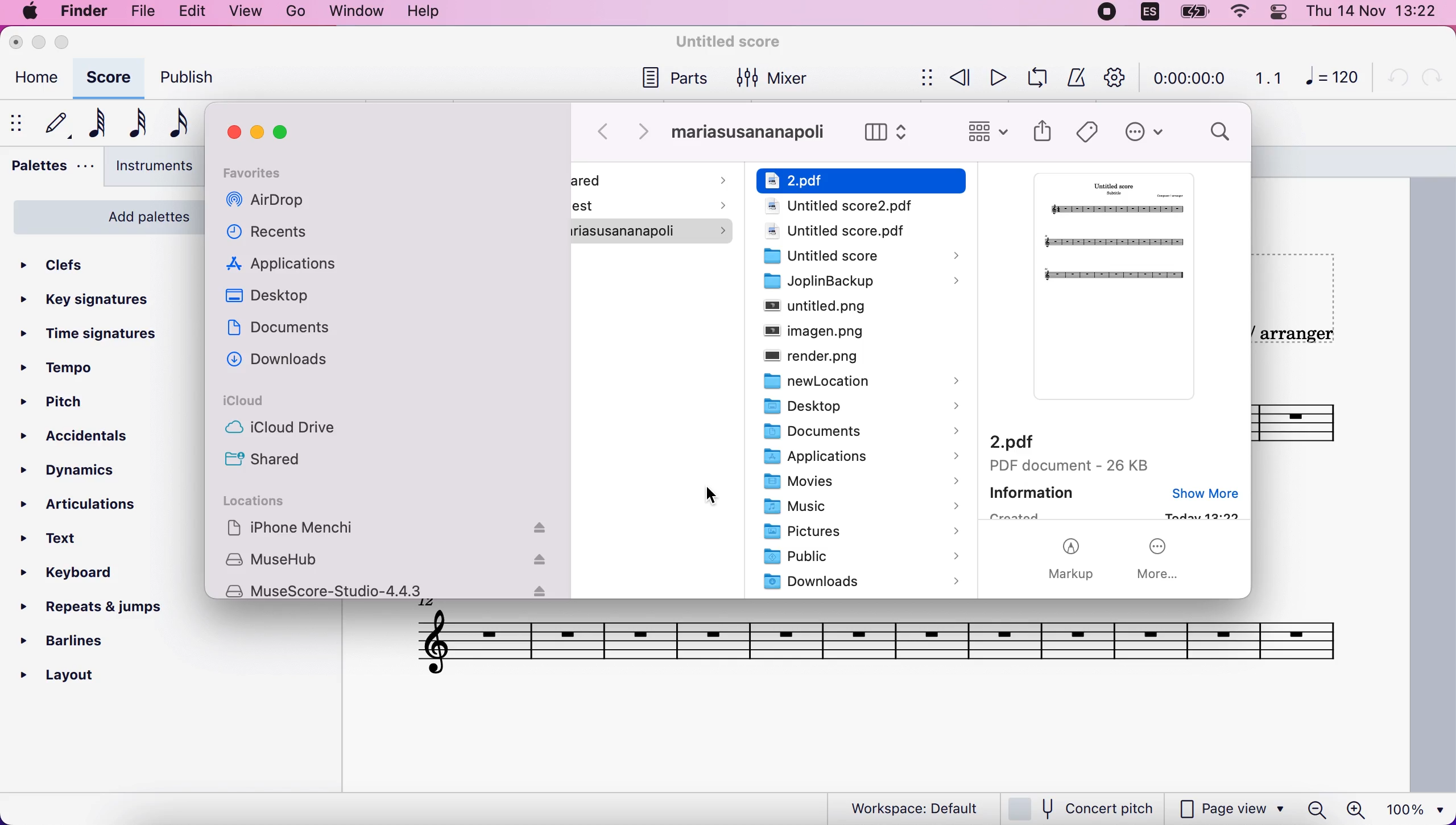 This screenshot has height=825, width=1456. Describe the element at coordinates (841, 332) in the screenshot. I see `EN jmagen.png` at that location.